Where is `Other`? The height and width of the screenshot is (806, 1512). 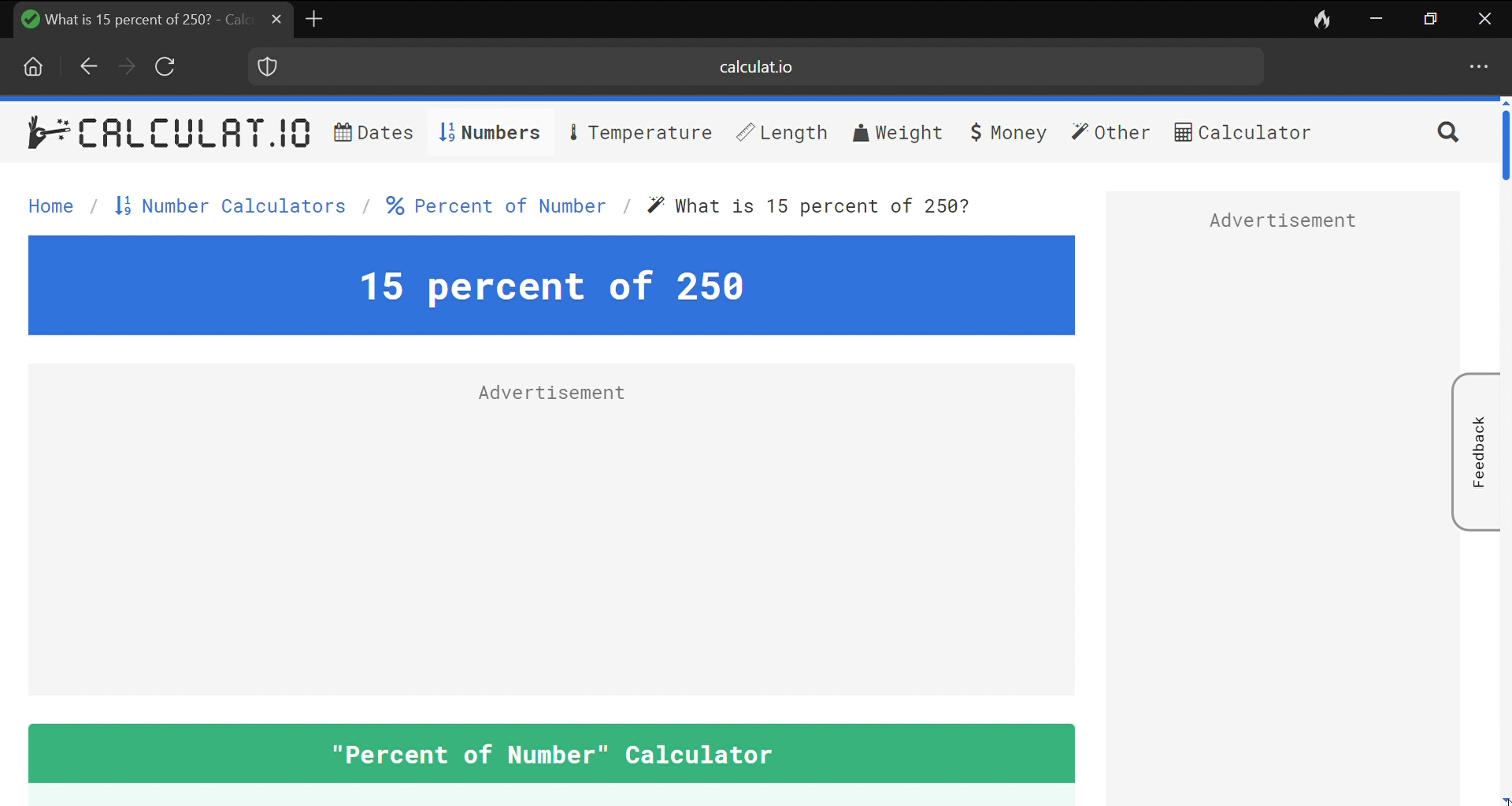
Other is located at coordinates (1110, 134).